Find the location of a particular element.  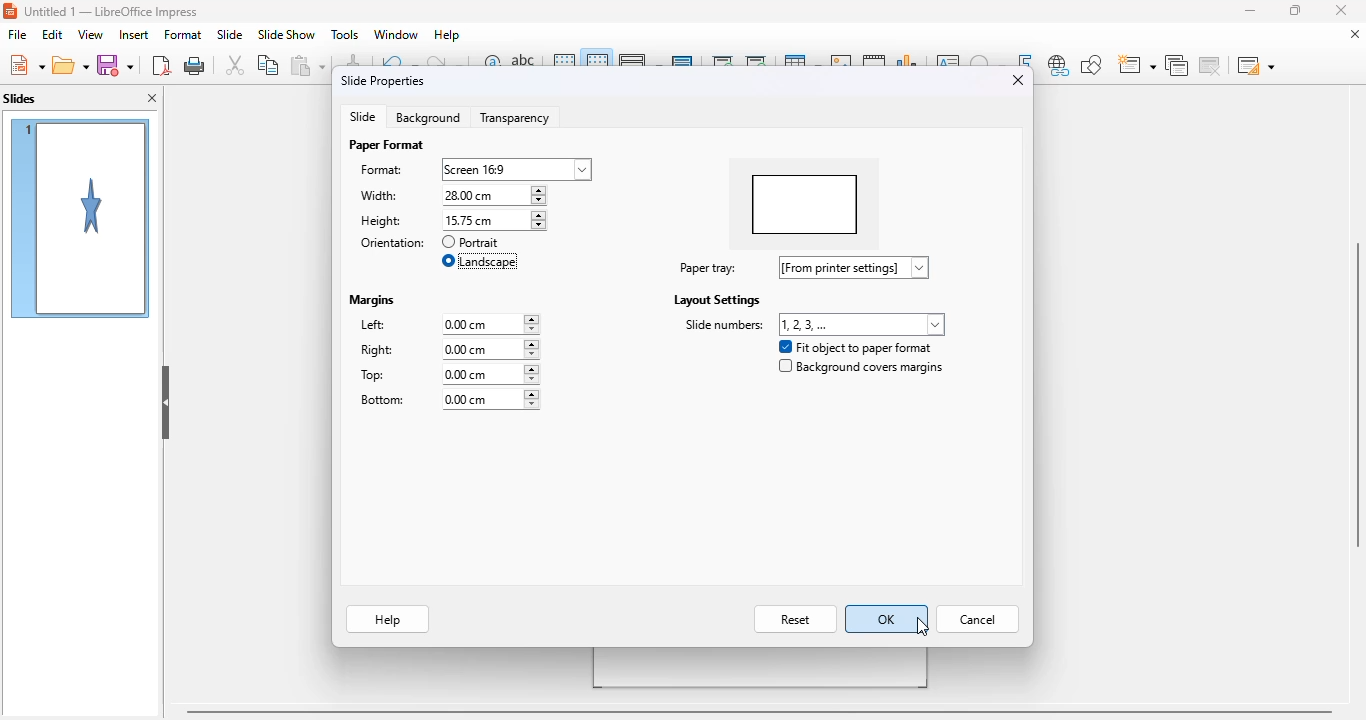

maximize is located at coordinates (1296, 10).